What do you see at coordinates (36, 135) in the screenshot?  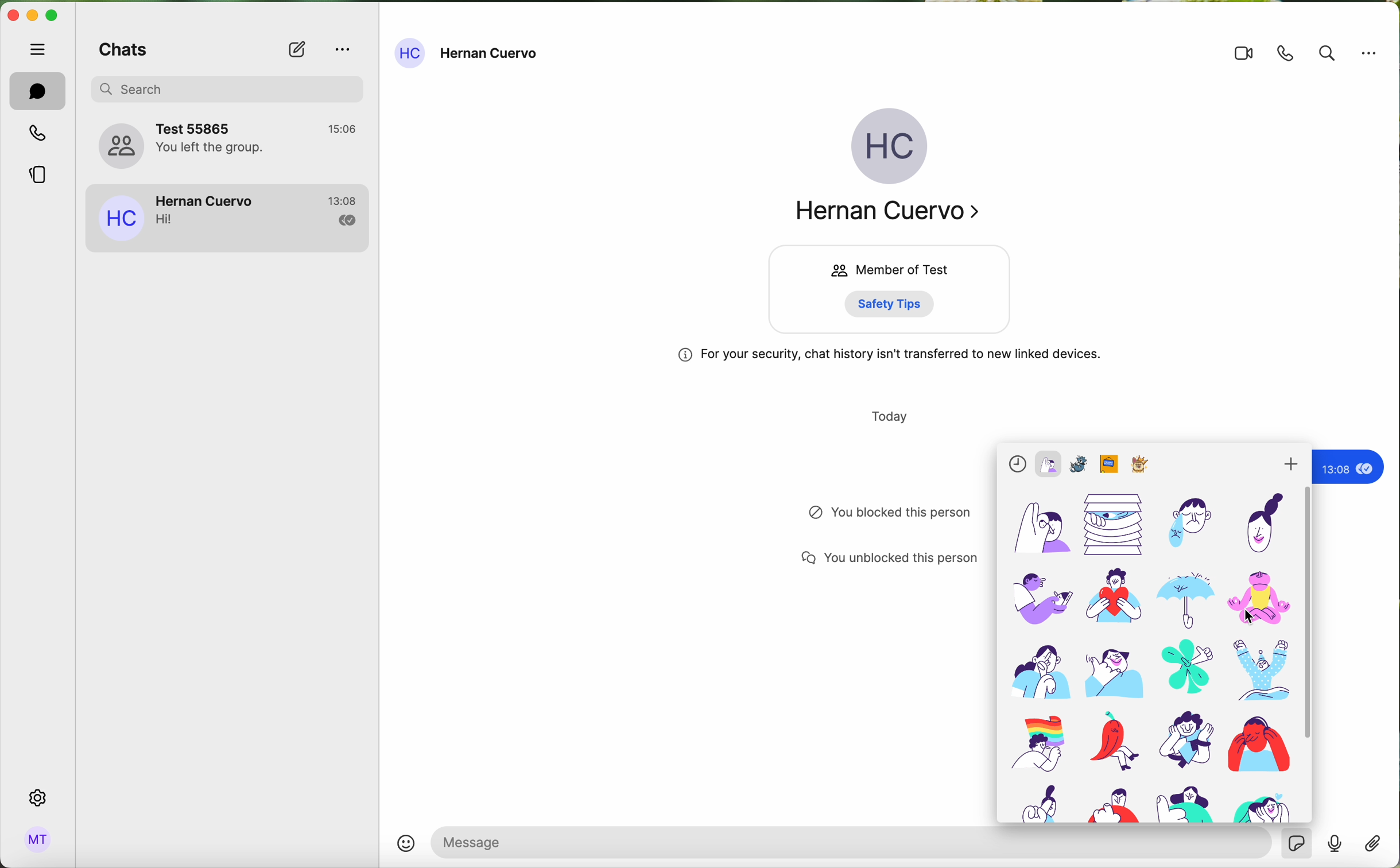 I see `calls` at bounding box center [36, 135].